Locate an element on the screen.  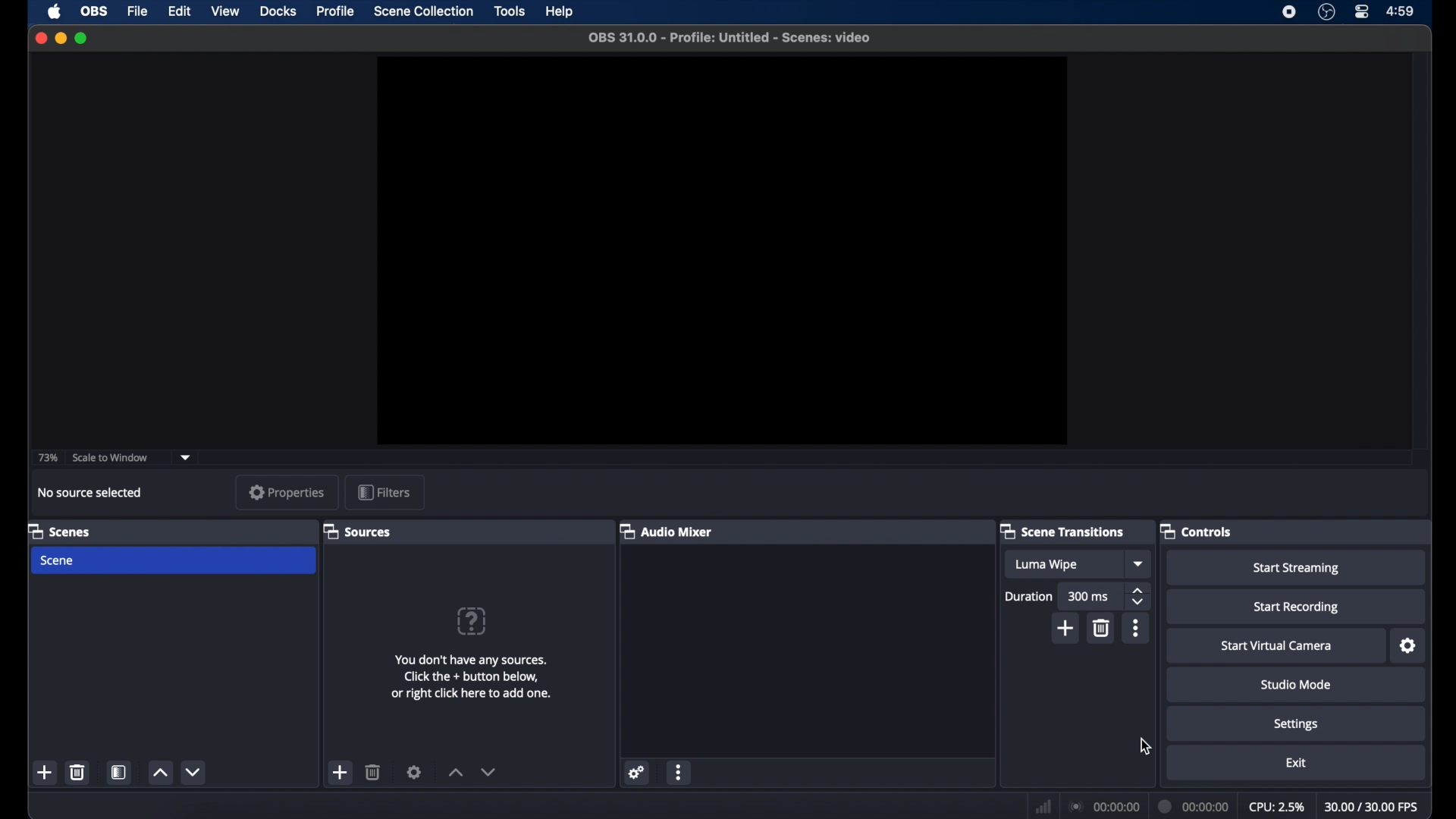
delete is located at coordinates (373, 772).